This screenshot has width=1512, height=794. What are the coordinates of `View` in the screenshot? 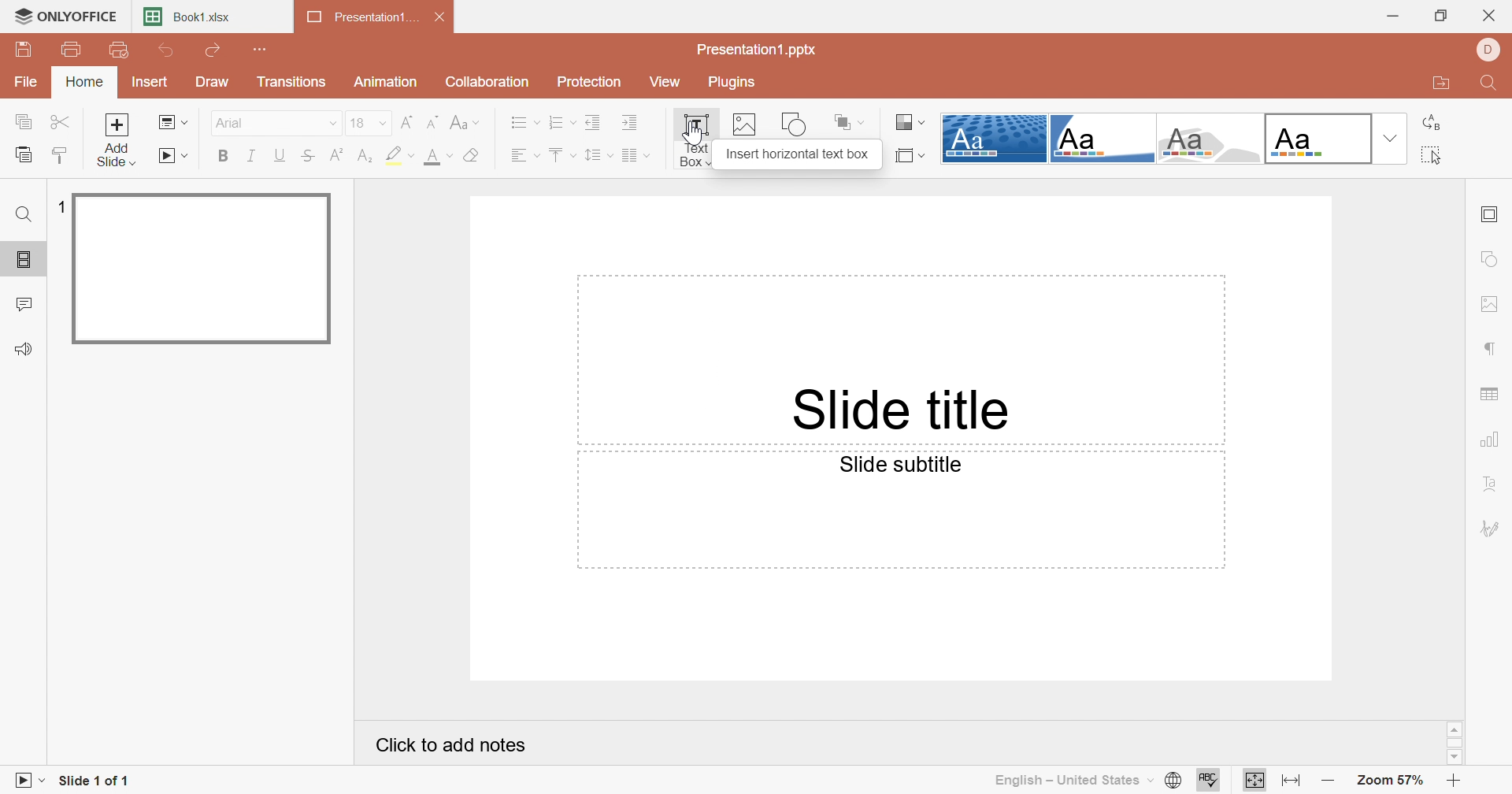 It's located at (661, 79).